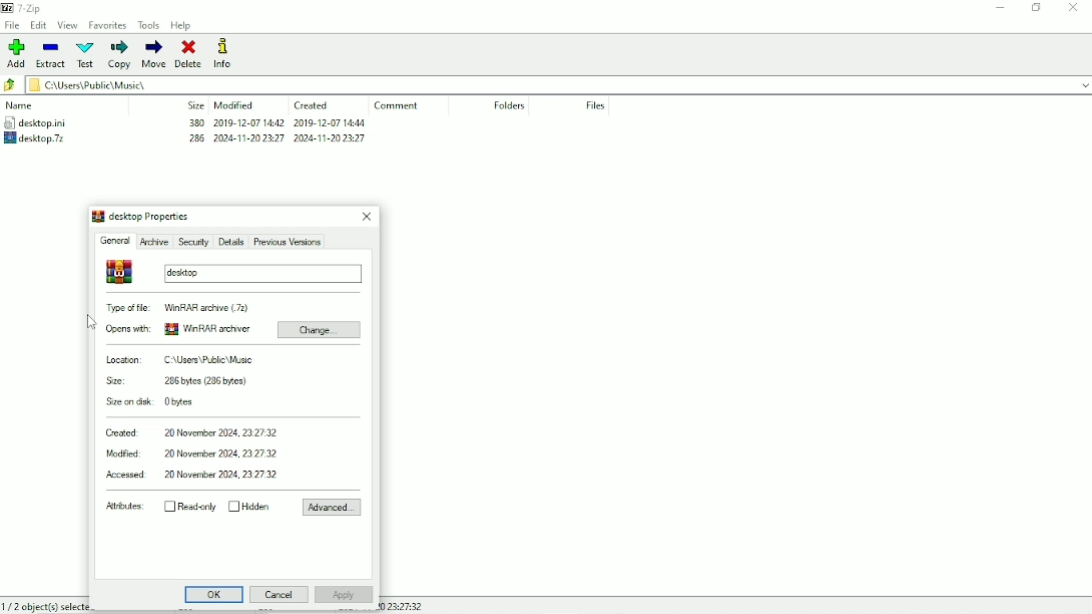 The height and width of the screenshot is (614, 1092). Describe the element at coordinates (368, 216) in the screenshot. I see `Close` at that location.